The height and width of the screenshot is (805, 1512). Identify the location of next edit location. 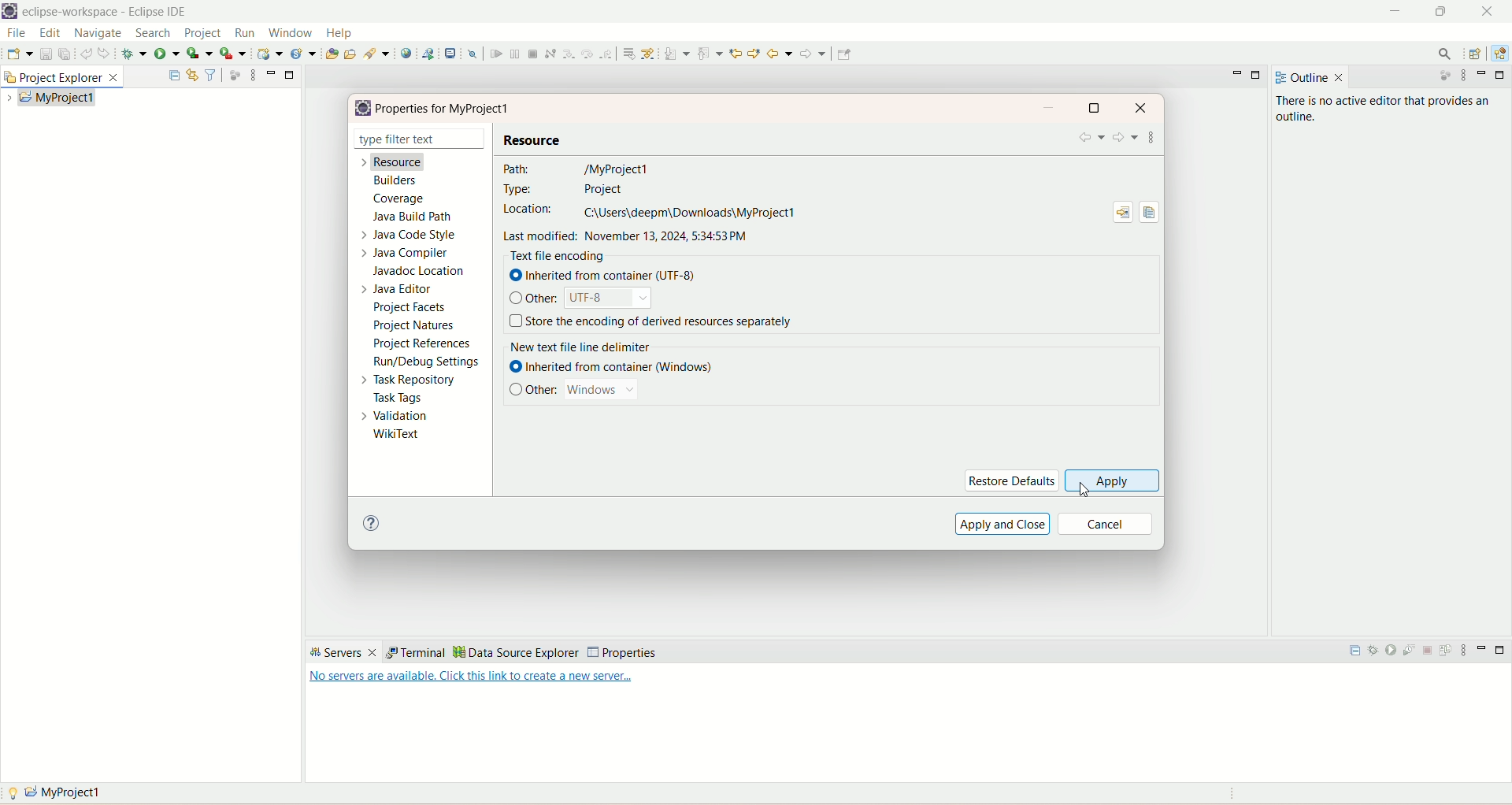
(736, 54).